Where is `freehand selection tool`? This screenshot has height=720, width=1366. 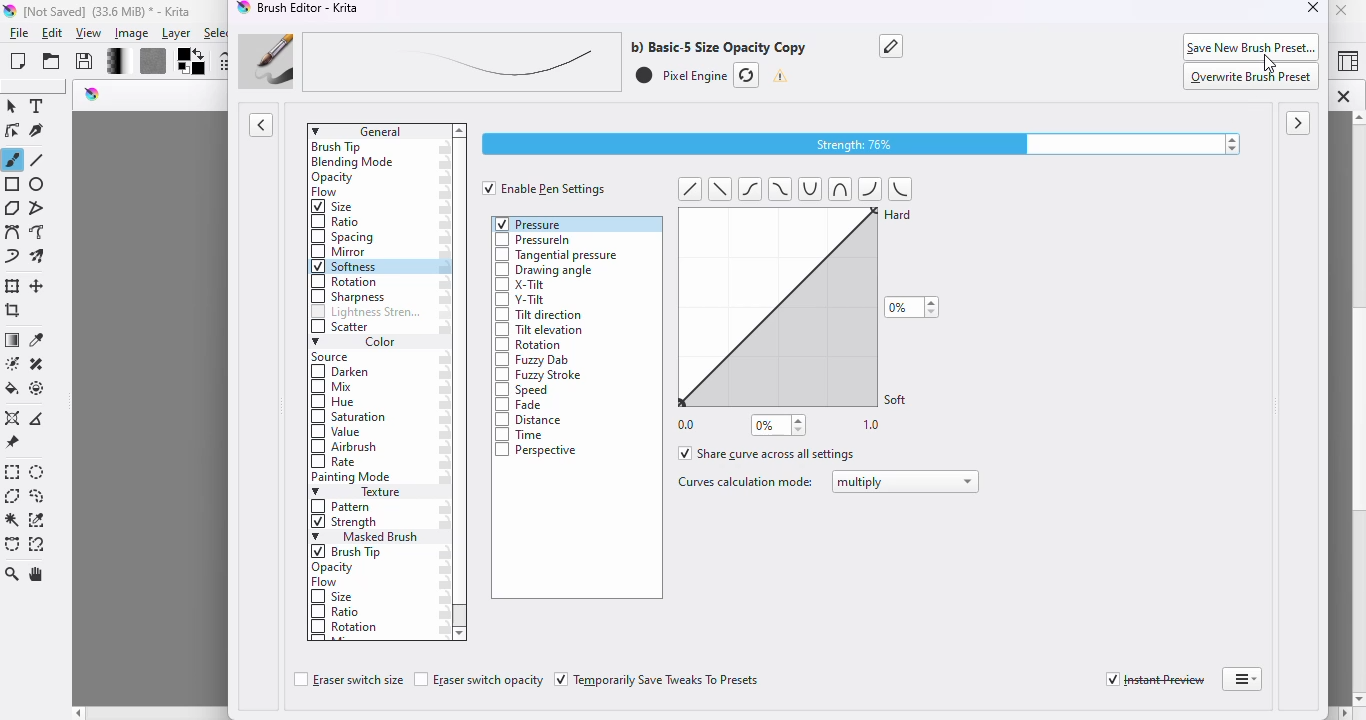 freehand selection tool is located at coordinates (37, 496).